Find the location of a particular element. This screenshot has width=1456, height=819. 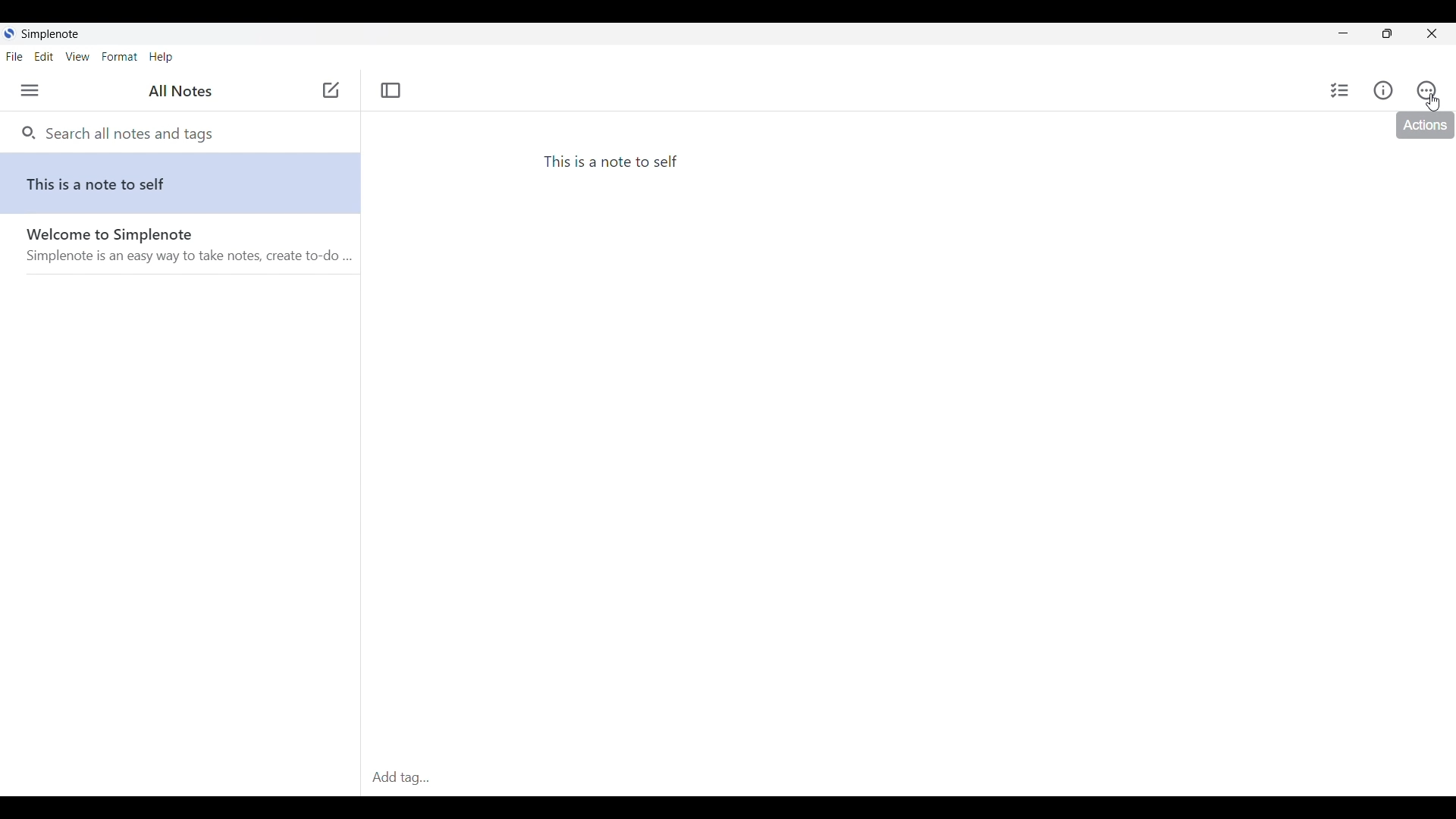

Click to add new note is located at coordinates (331, 89).